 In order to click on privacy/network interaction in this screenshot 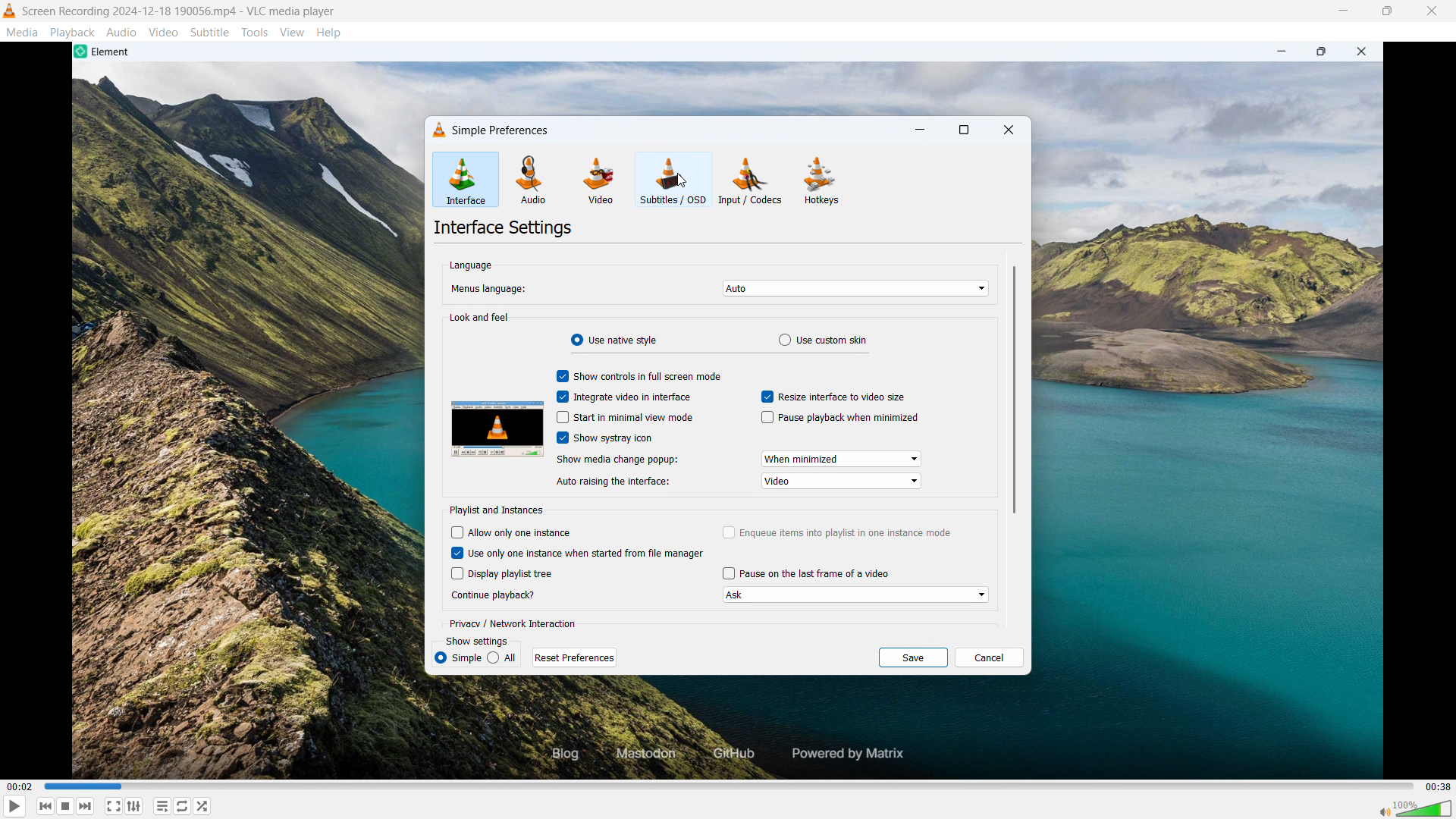, I will do `click(513, 625)`.